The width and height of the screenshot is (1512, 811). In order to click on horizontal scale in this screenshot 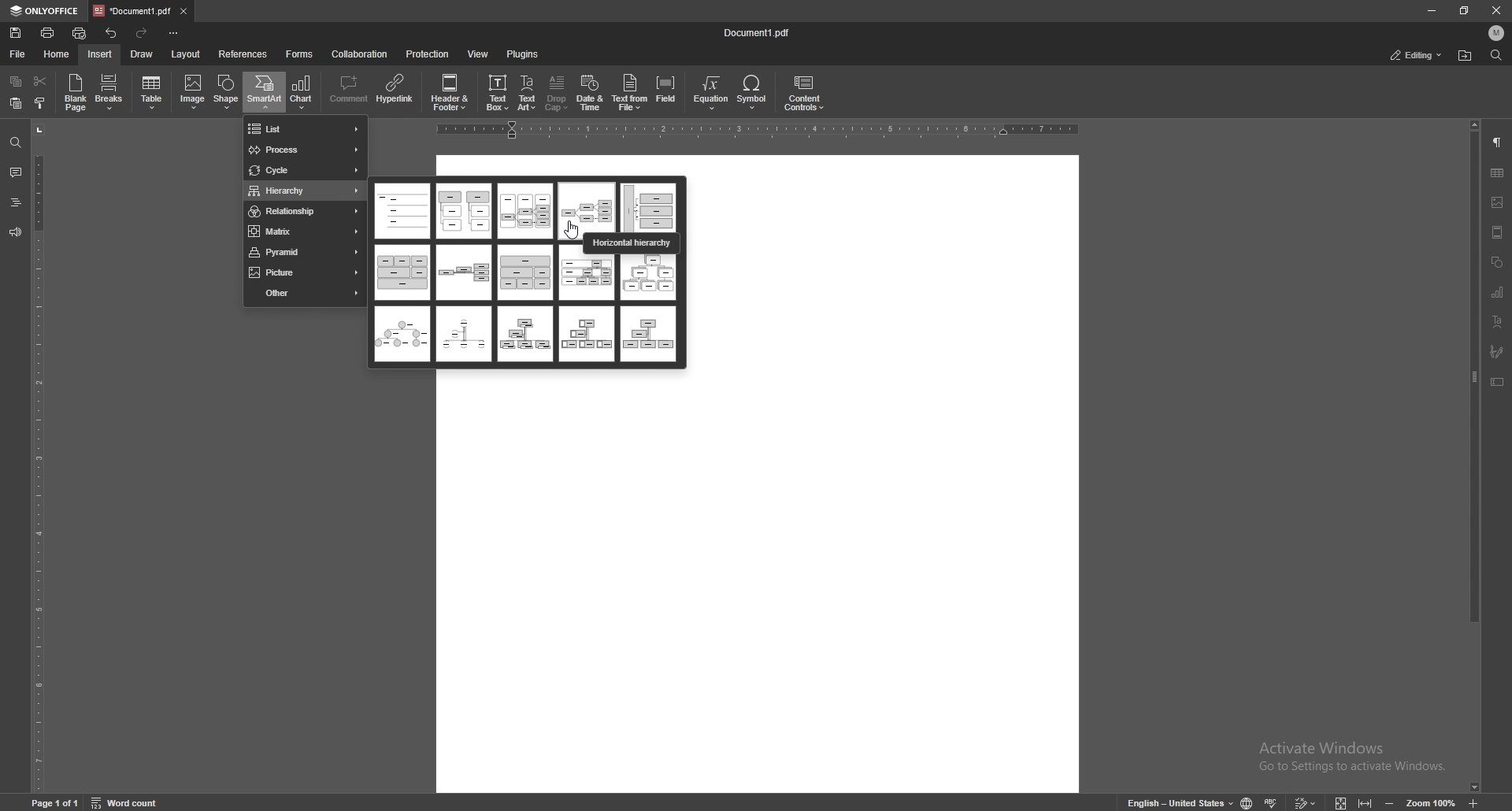, I will do `click(754, 131)`.